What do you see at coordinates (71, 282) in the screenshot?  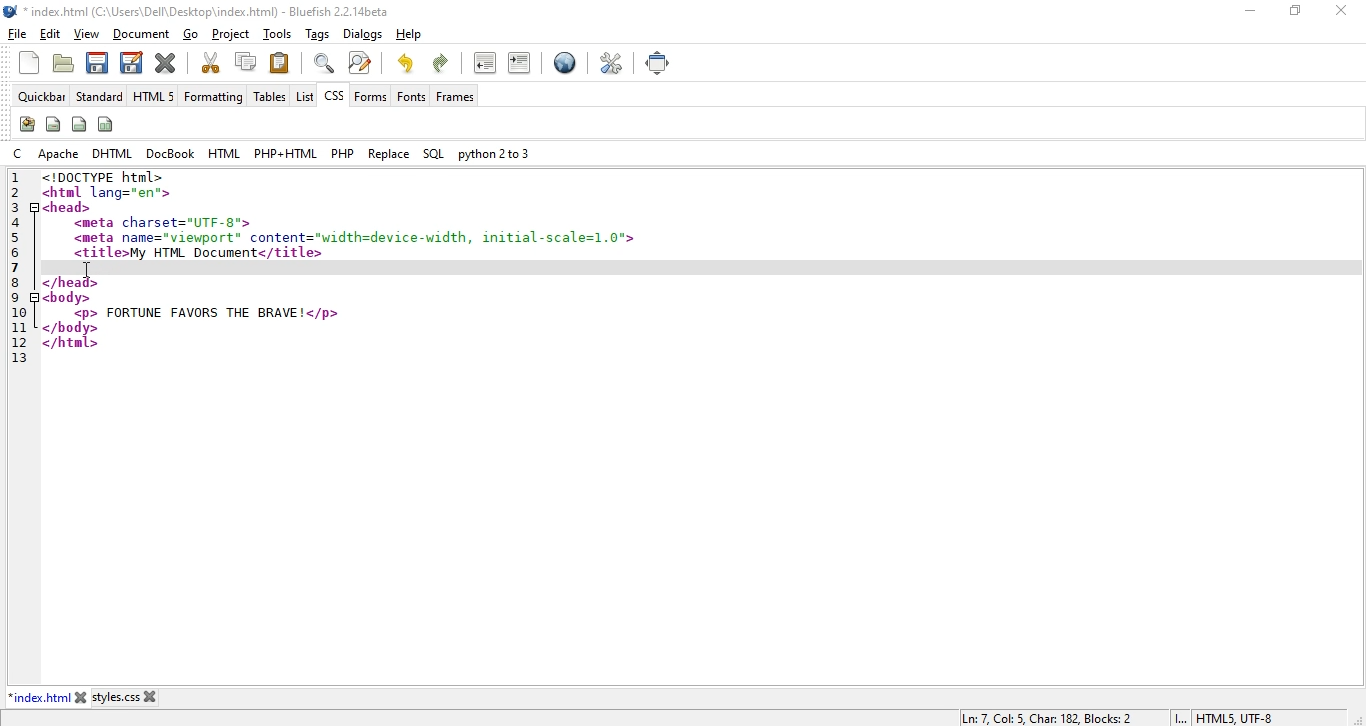 I see `</head>` at bounding box center [71, 282].